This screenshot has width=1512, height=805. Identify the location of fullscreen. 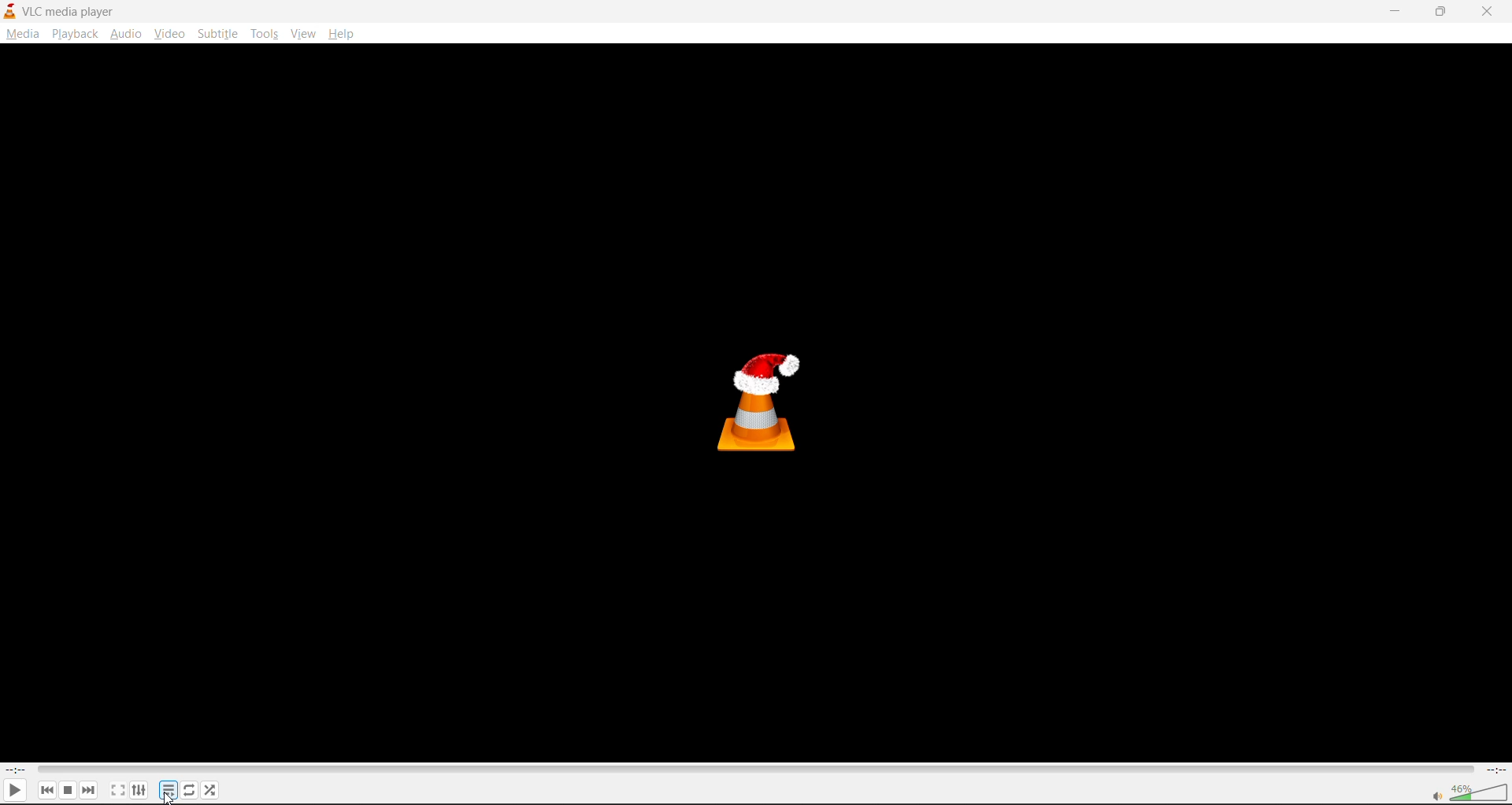
(113, 789).